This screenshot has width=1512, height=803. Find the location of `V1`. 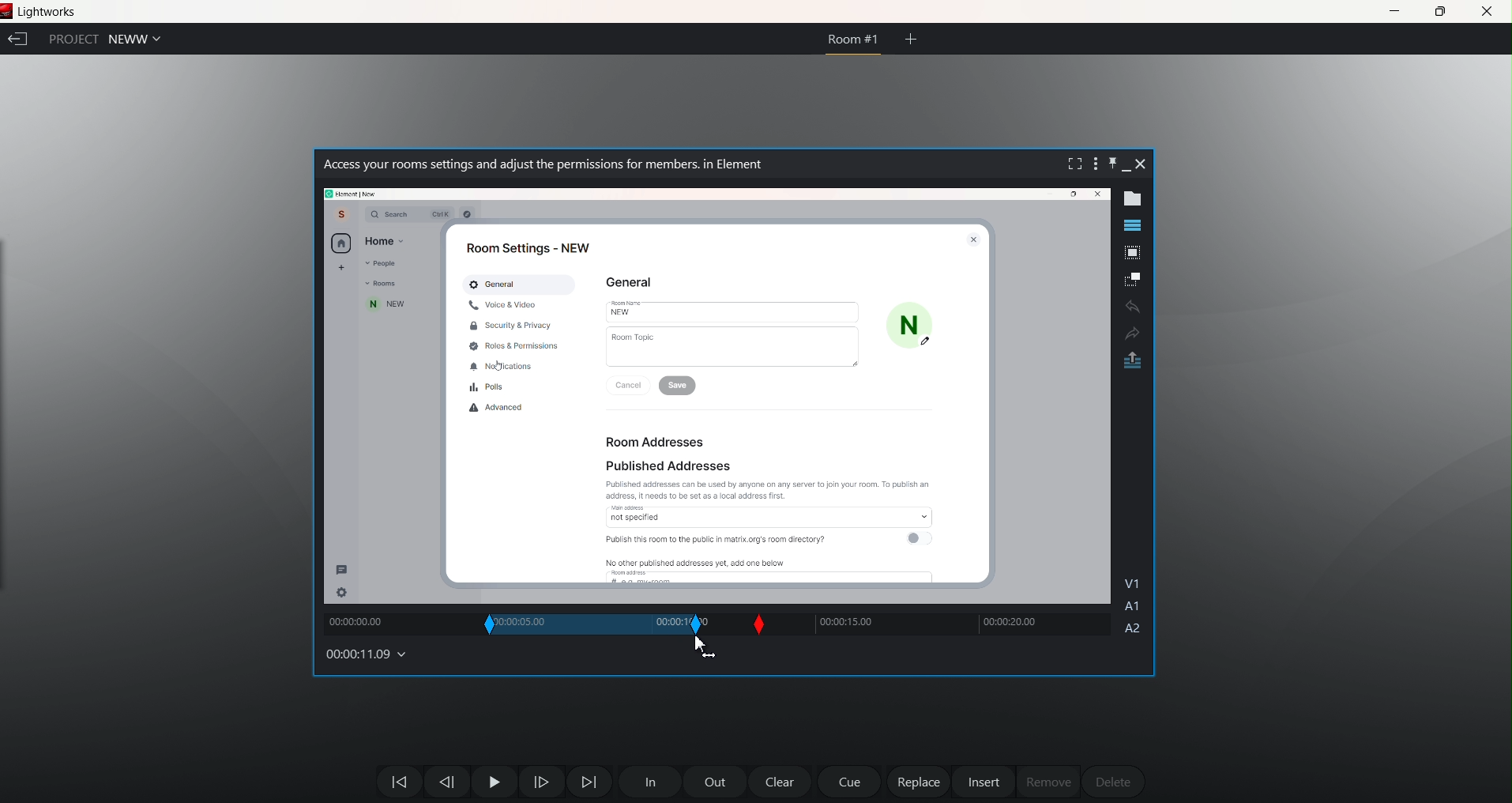

V1 is located at coordinates (1133, 582).